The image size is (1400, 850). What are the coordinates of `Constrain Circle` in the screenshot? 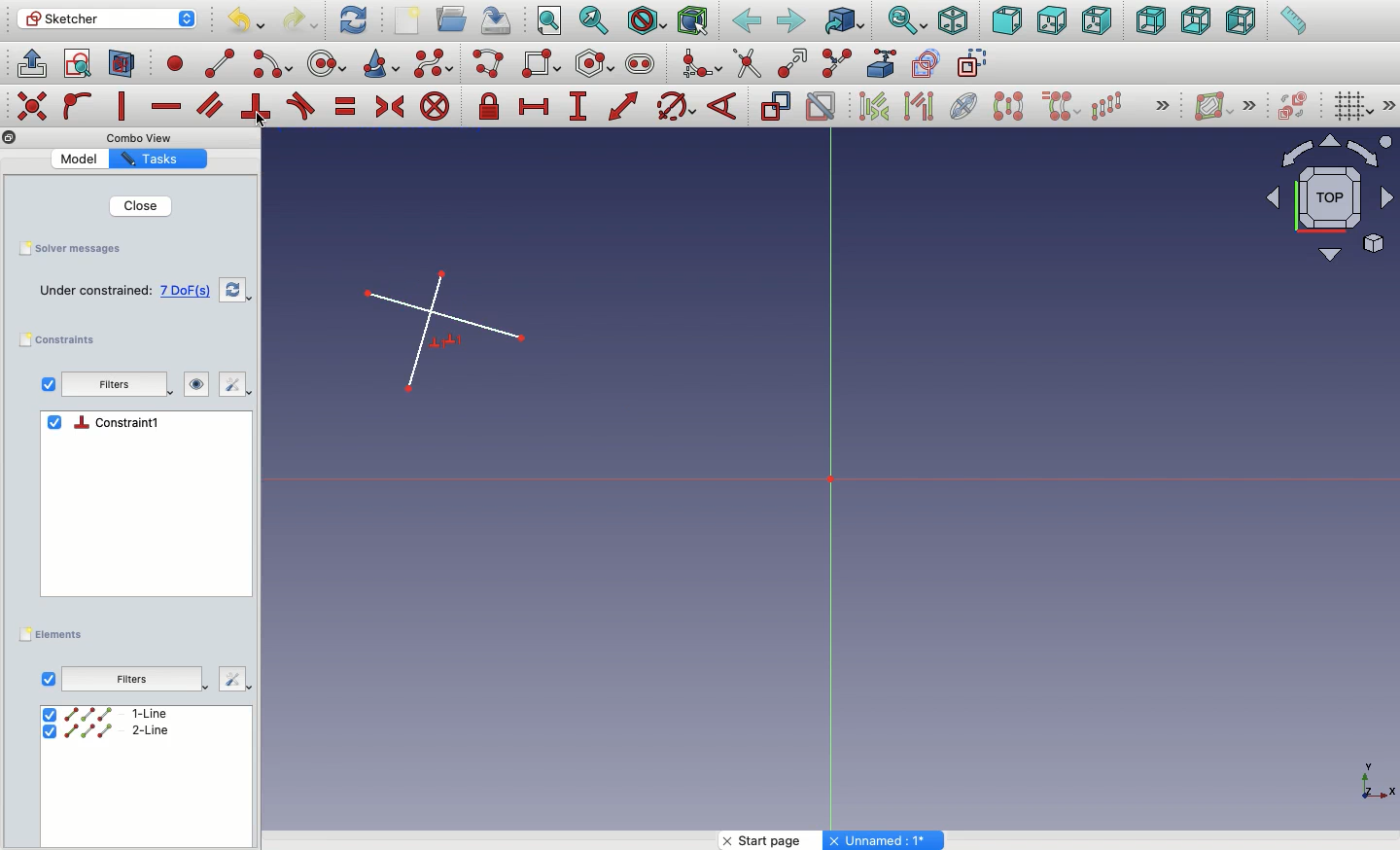 It's located at (677, 106).